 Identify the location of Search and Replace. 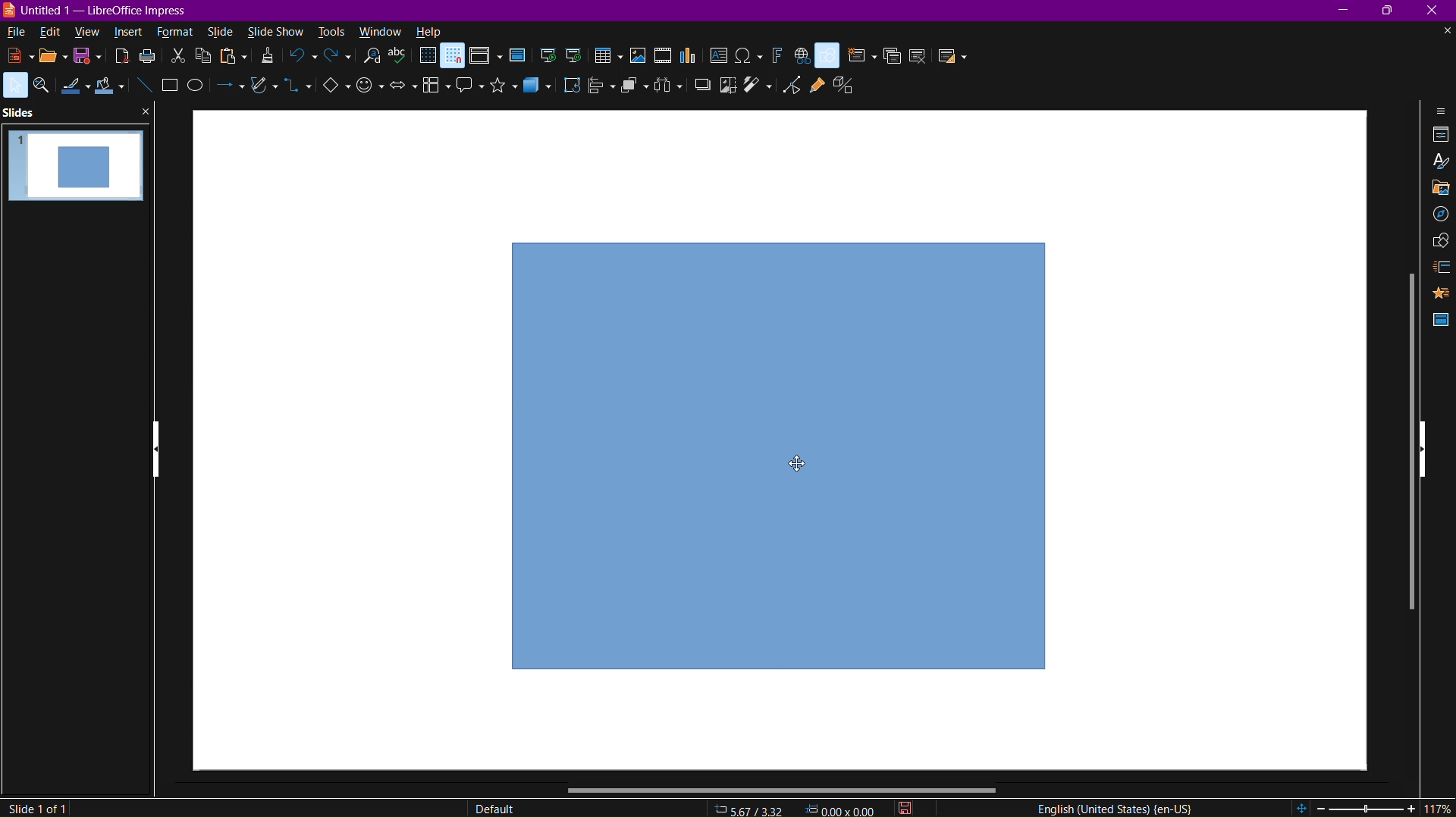
(374, 60).